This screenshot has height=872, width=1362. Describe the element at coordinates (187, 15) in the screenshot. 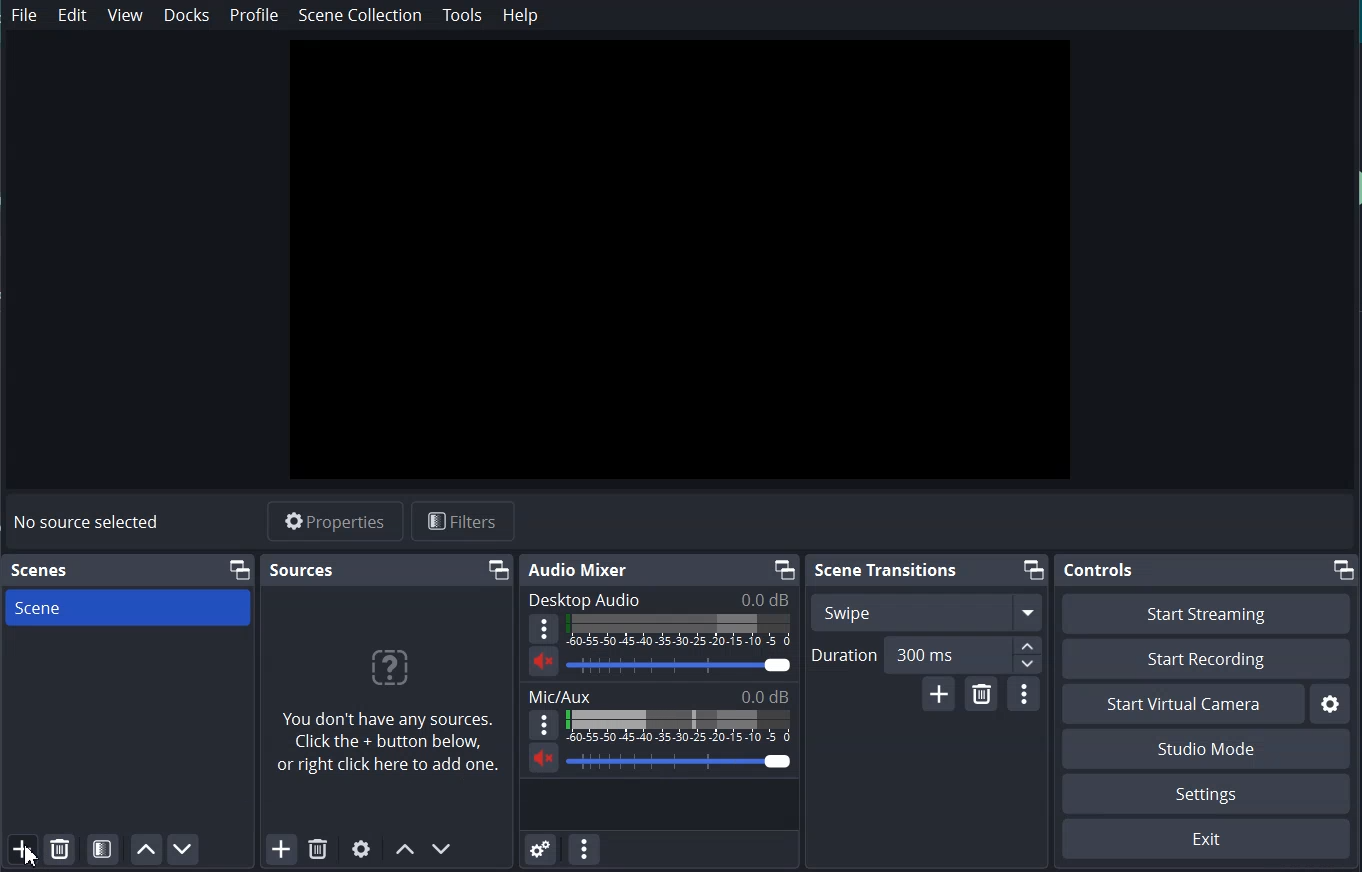

I see `Docks` at that location.